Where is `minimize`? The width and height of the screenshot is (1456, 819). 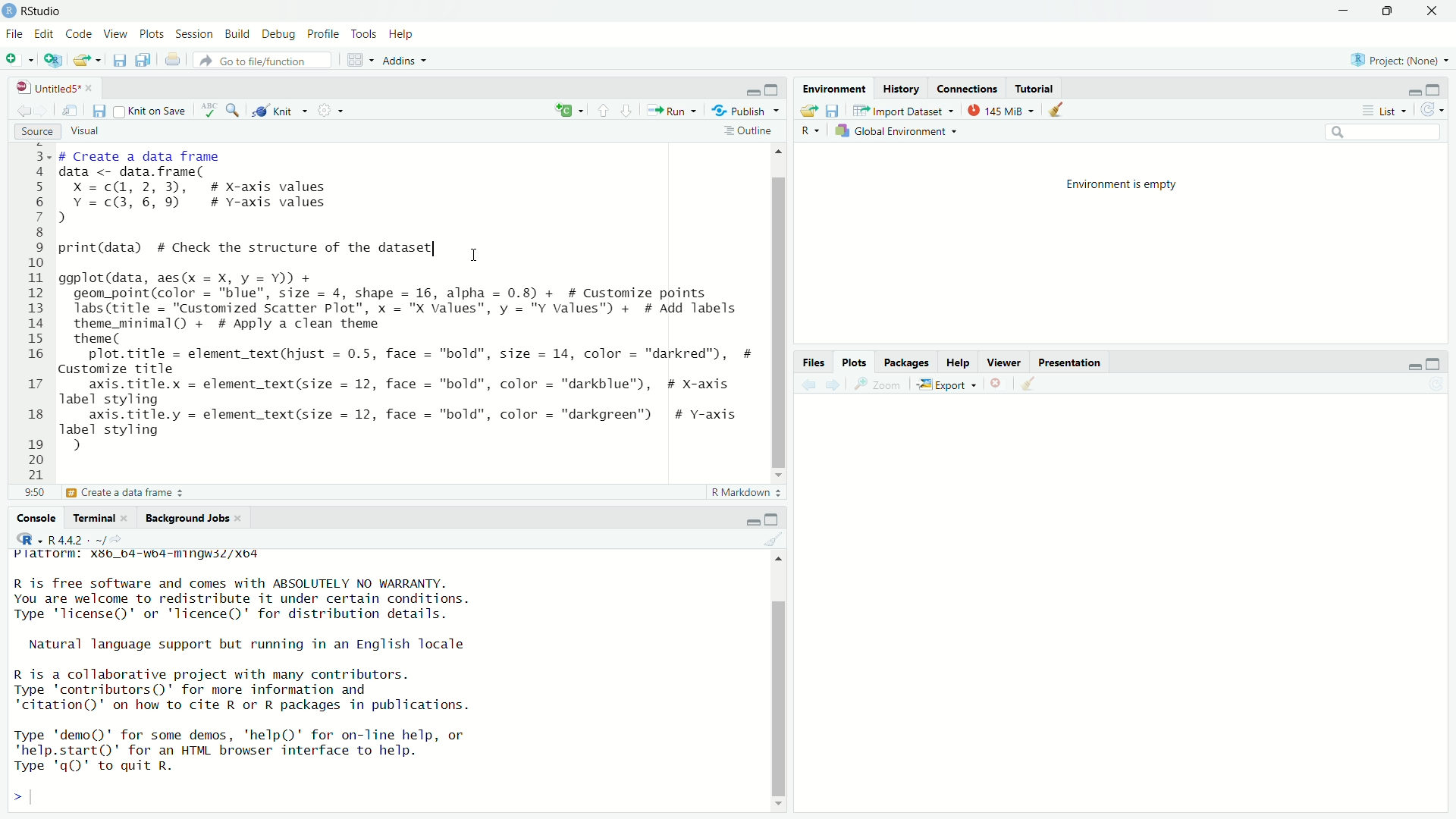
minimize is located at coordinates (1412, 366).